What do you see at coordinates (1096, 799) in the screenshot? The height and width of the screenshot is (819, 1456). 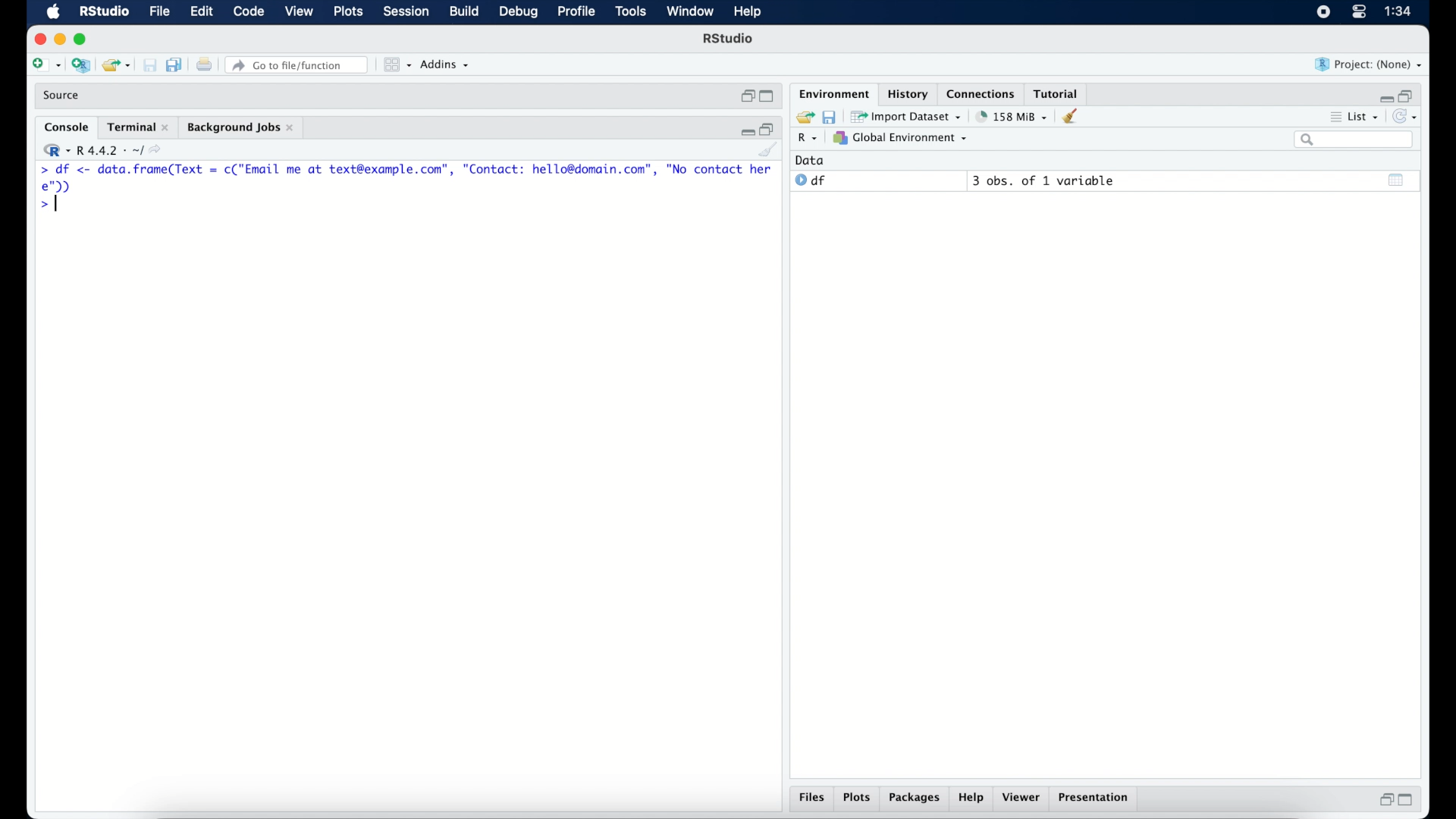 I see `presentation` at bounding box center [1096, 799].